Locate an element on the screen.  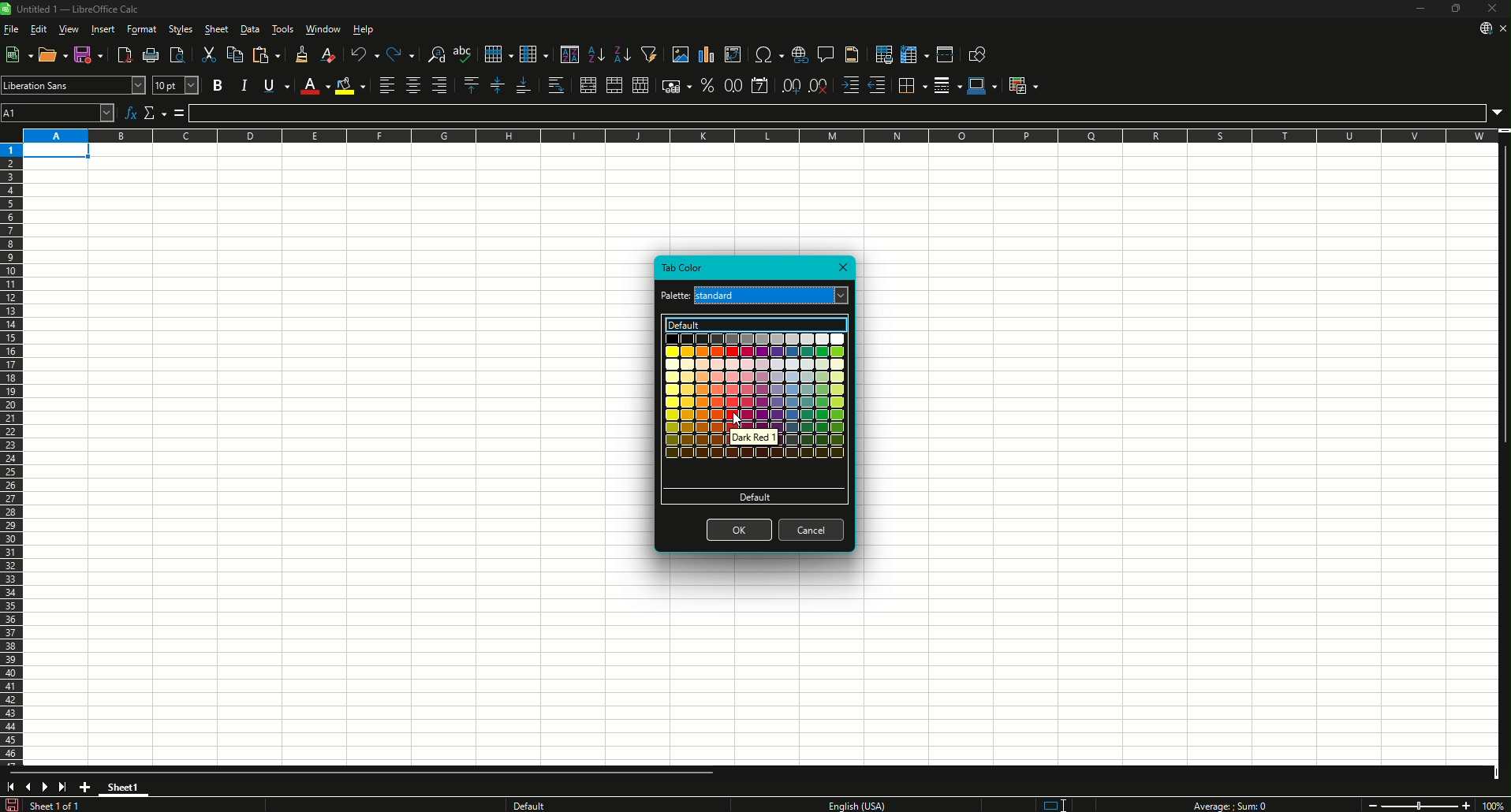
Current palette is located at coordinates (761, 296).